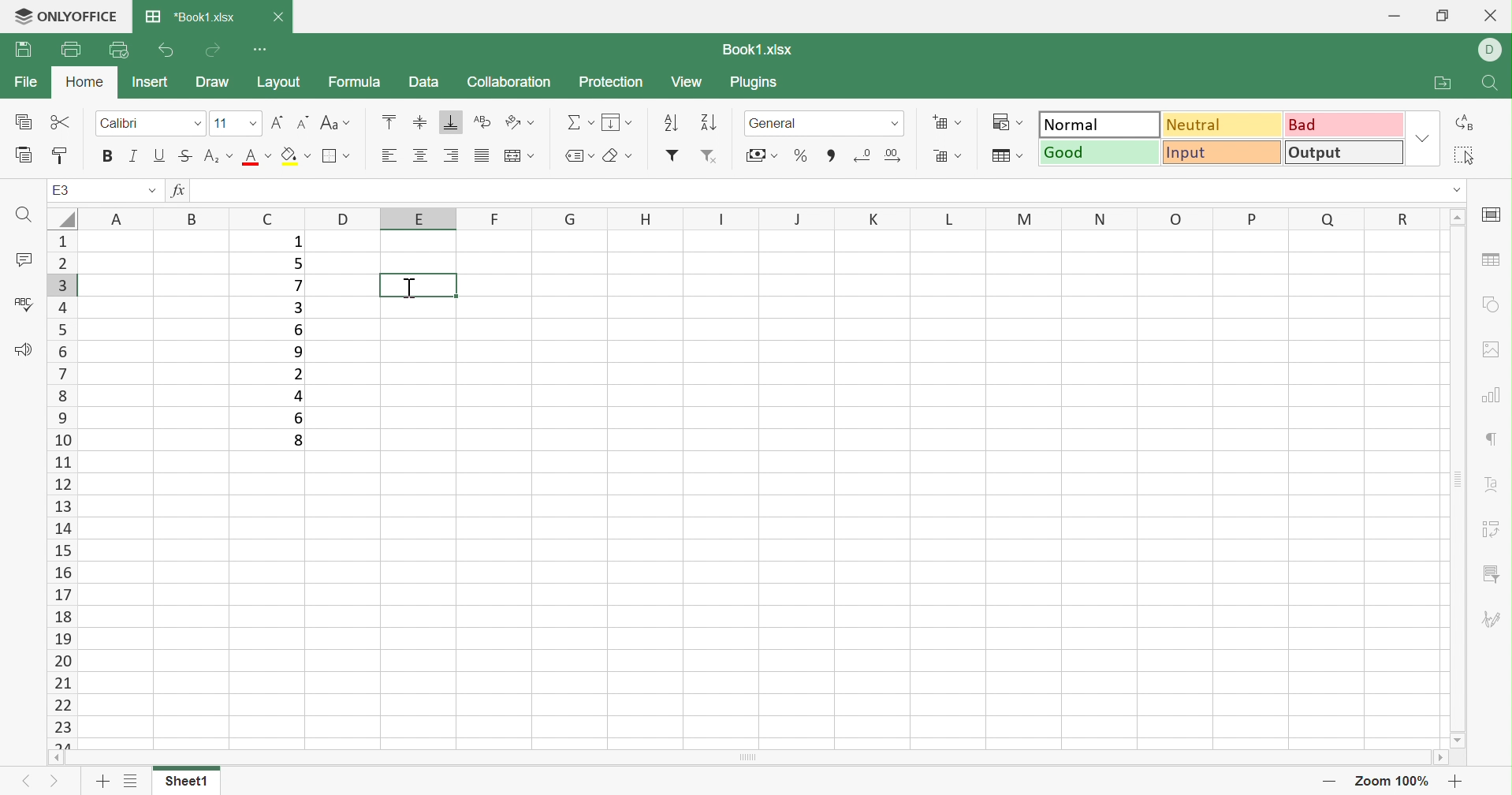 Image resolution: width=1512 pixels, height=795 pixels. I want to click on Close, so click(1495, 17).